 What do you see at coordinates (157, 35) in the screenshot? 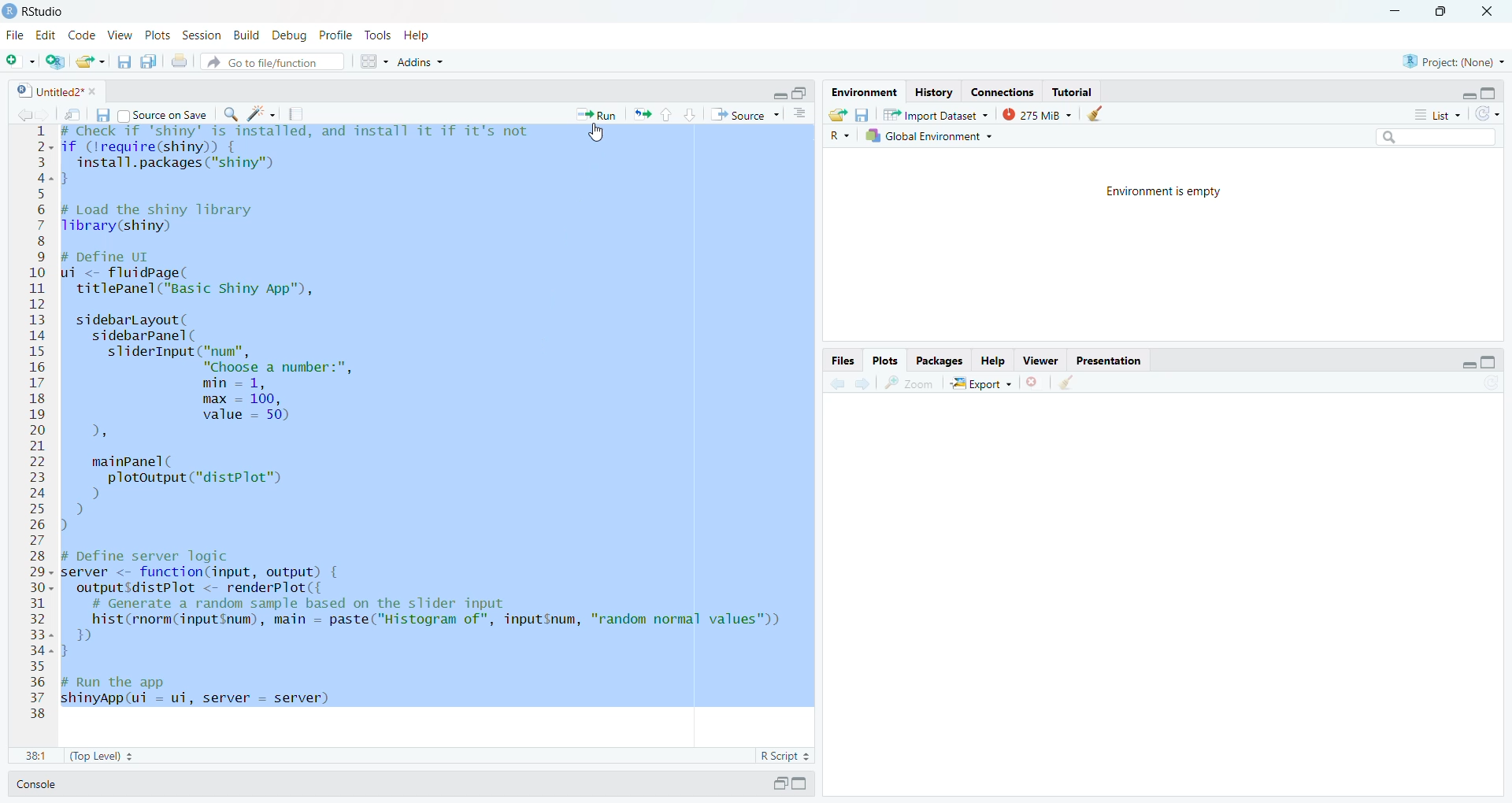
I see `Plots` at bounding box center [157, 35].